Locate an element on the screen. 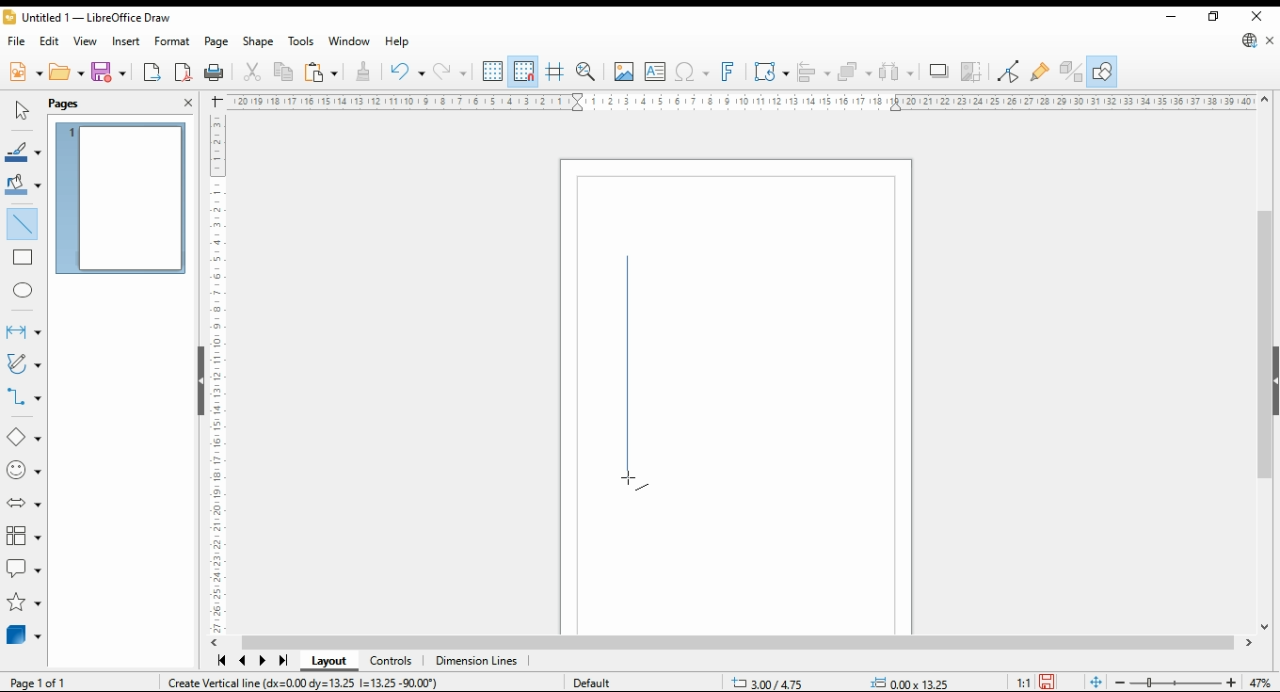 The width and height of the screenshot is (1280, 692). stars and banners is located at coordinates (23, 604).